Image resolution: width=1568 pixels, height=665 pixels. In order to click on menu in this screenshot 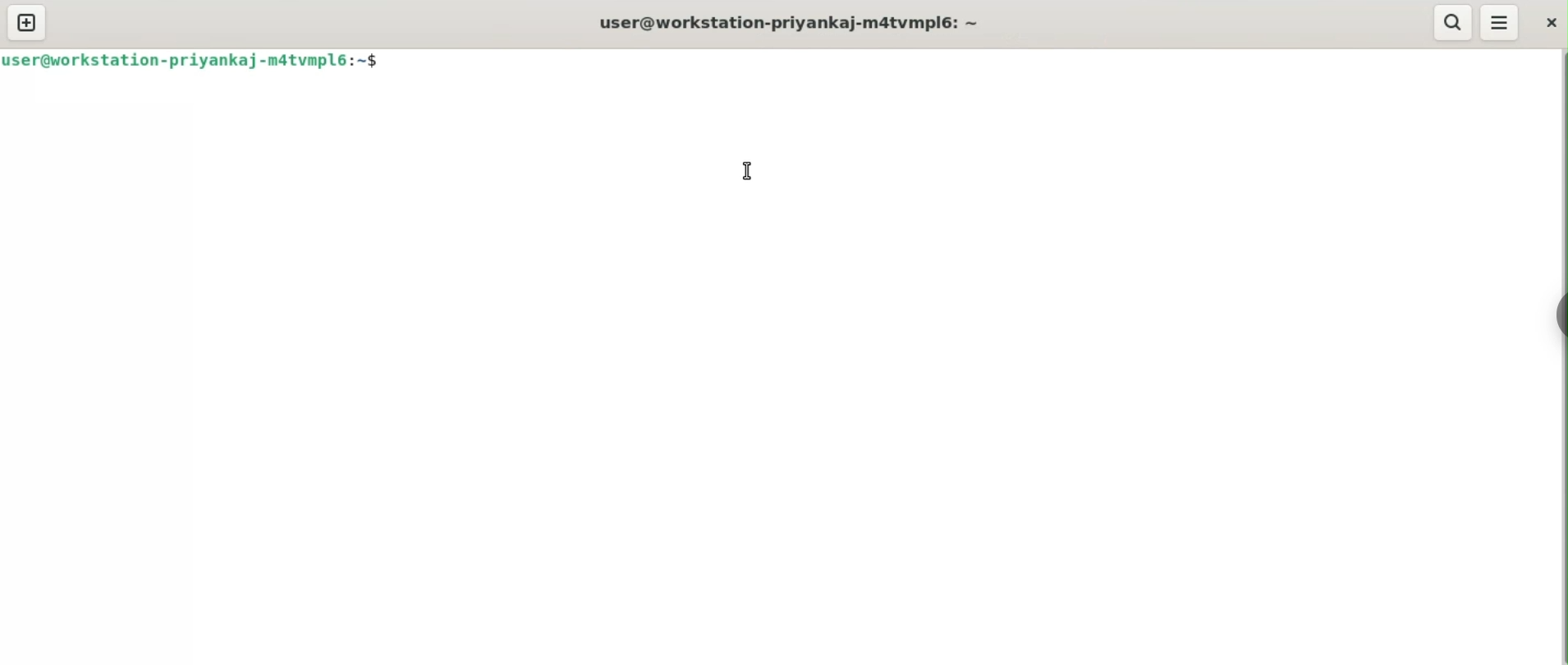, I will do `click(1498, 24)`.